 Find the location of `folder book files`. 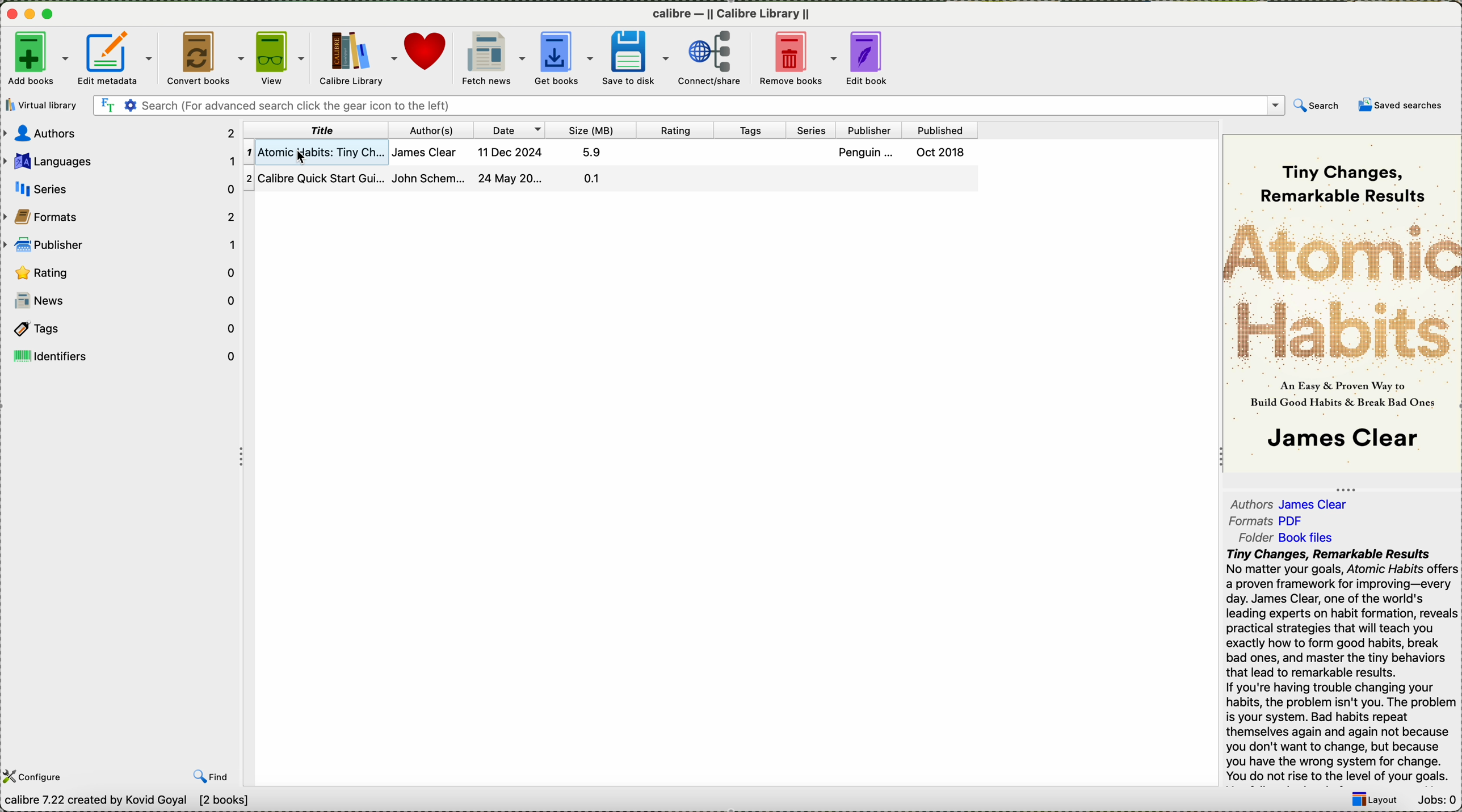

folder book files is located at coordinates (1282, 537).